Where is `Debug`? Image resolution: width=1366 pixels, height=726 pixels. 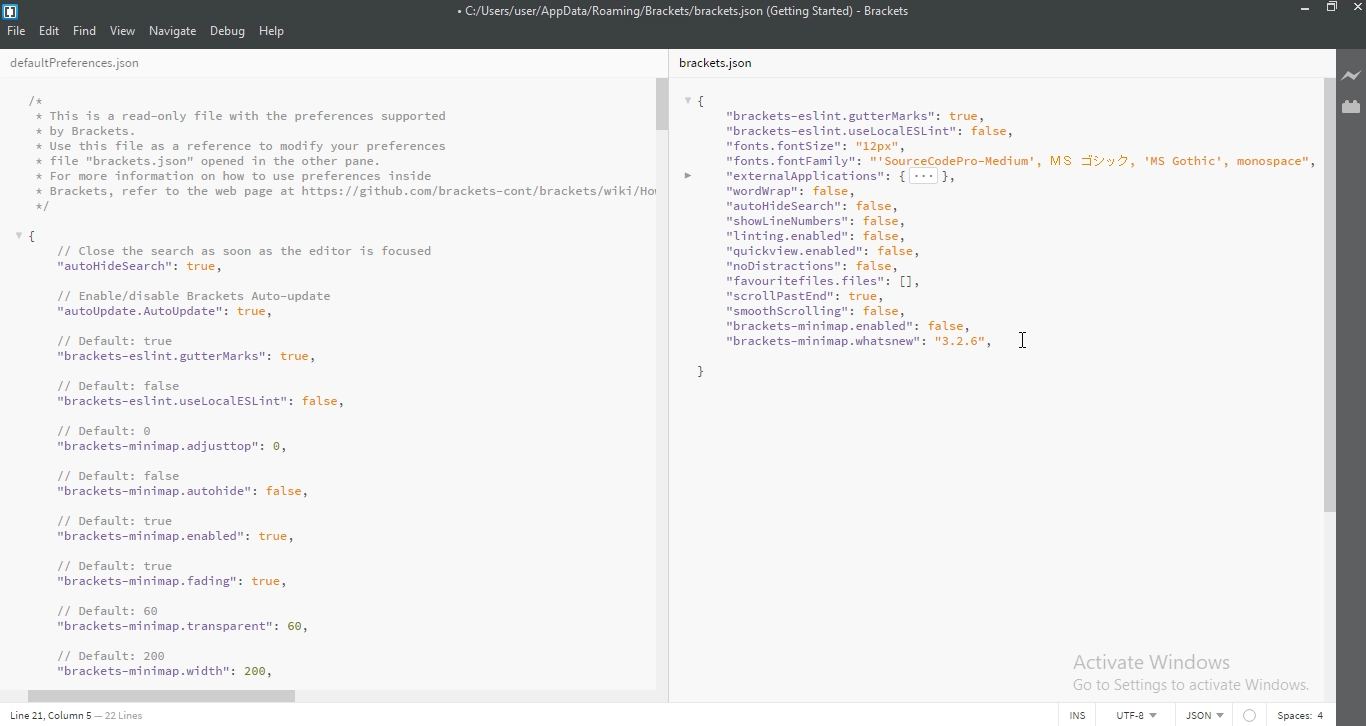 Debug is located at coordinates (228, 32).